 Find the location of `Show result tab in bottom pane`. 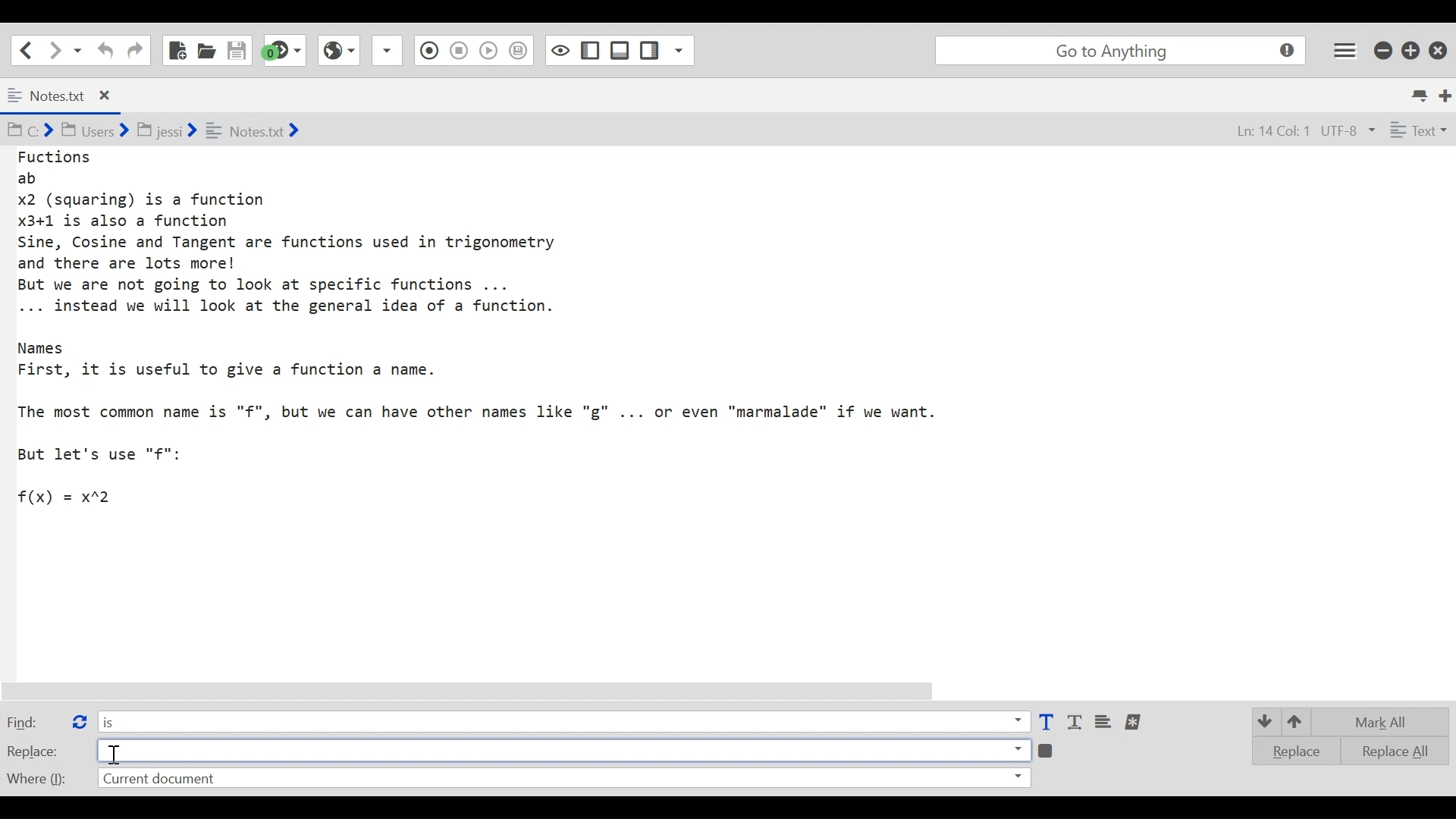

Show result tab in bottom pane is located at coordinates (1048, 749).